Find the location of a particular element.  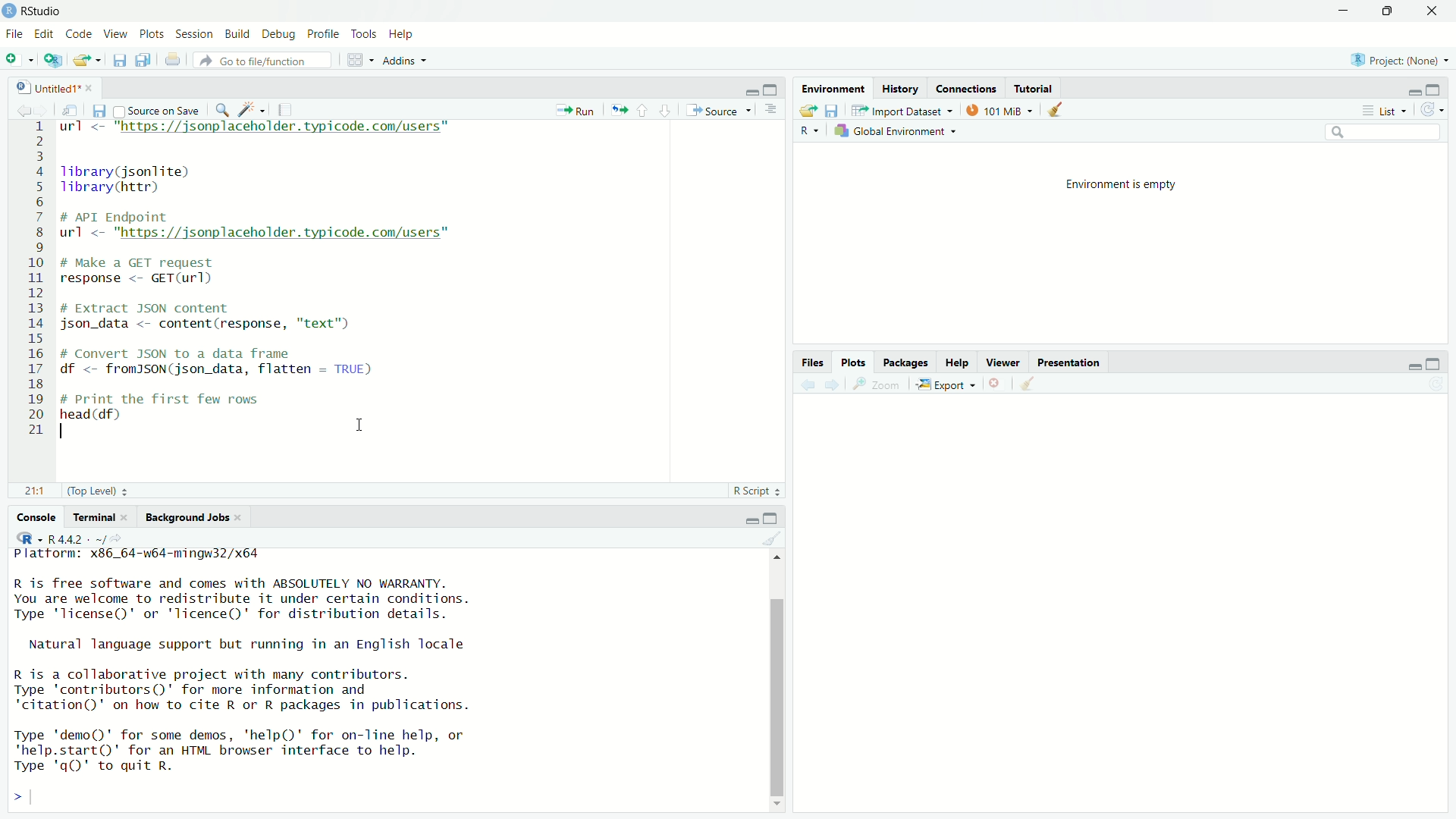

Scroll is located at coordinates (779, 681).